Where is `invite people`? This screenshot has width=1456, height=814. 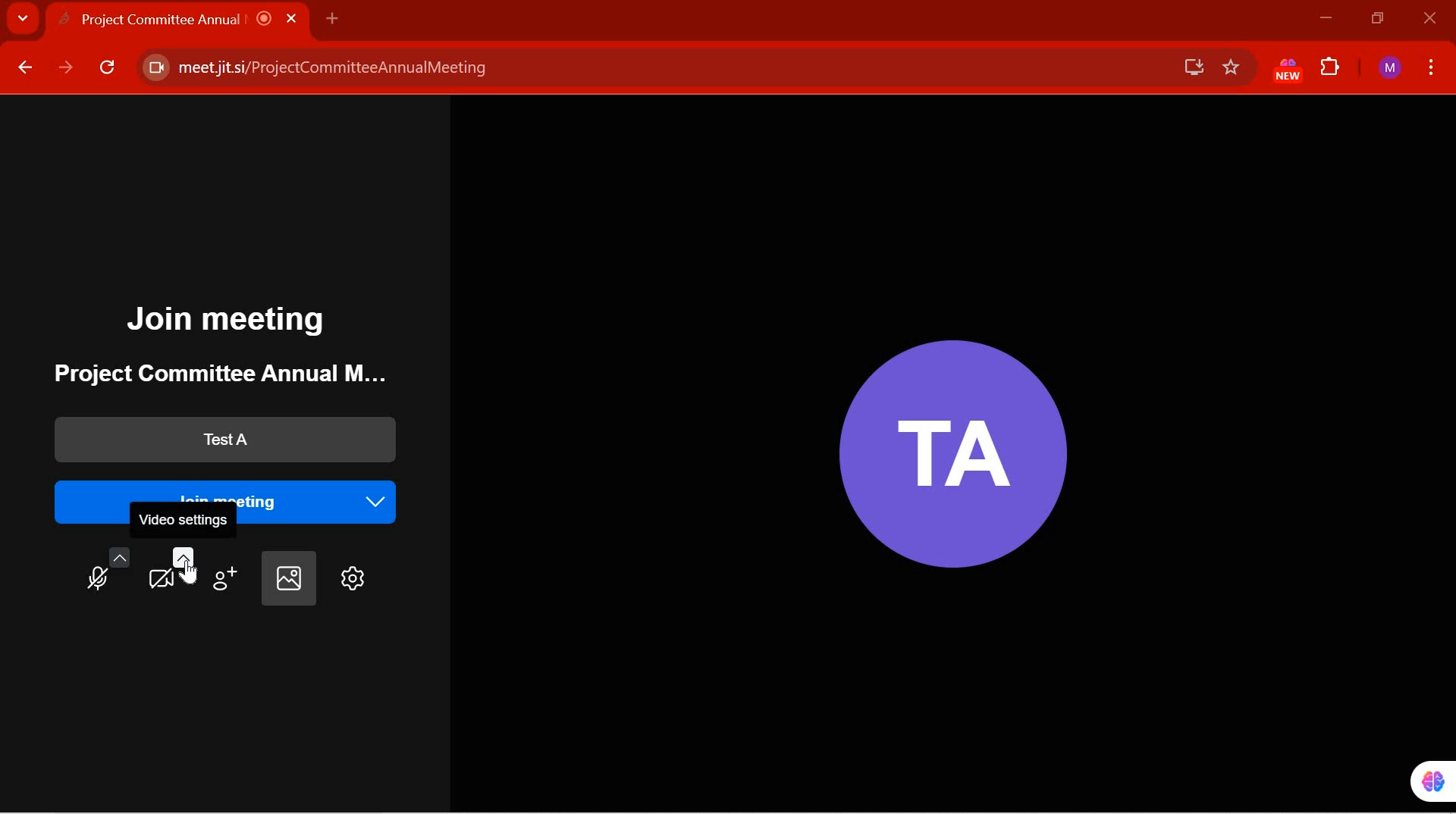
invite people is located at coordinates (227, 573).